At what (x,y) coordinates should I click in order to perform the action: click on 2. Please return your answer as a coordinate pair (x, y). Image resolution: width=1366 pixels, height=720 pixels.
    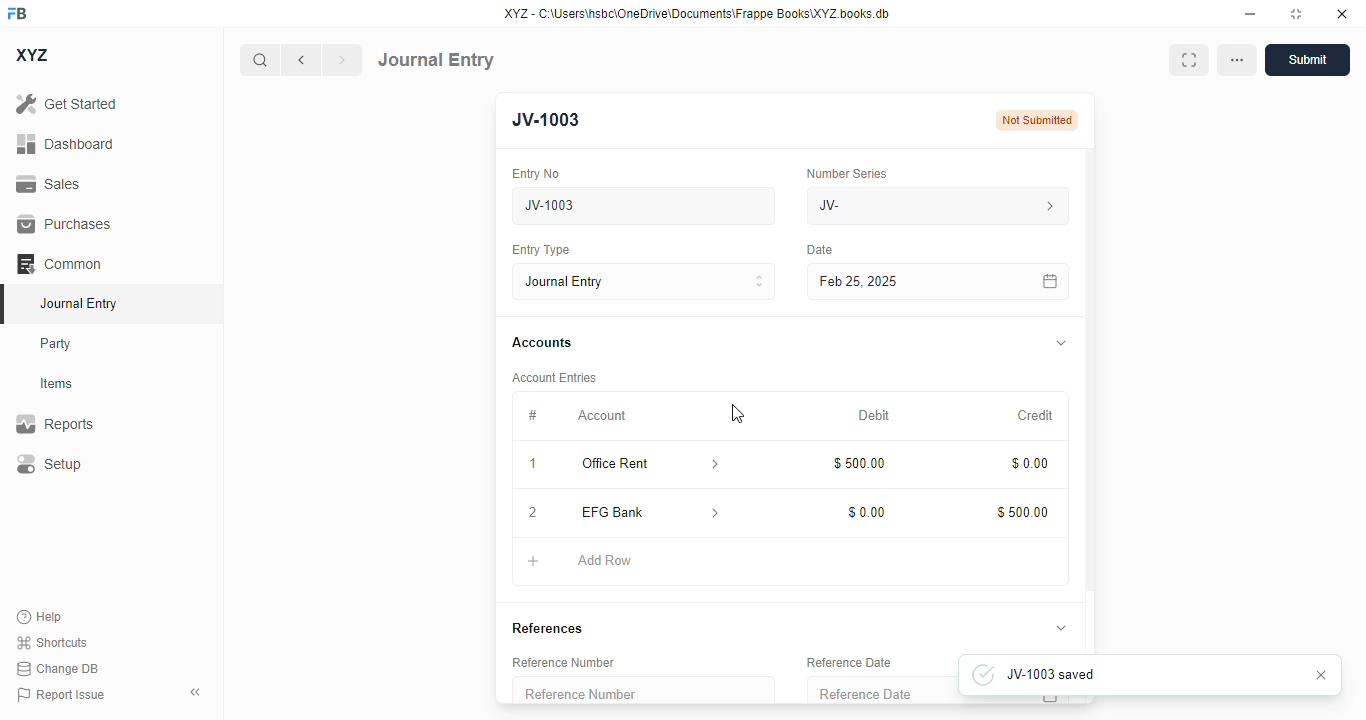
    Looking at the image, I should click on (533, 514).